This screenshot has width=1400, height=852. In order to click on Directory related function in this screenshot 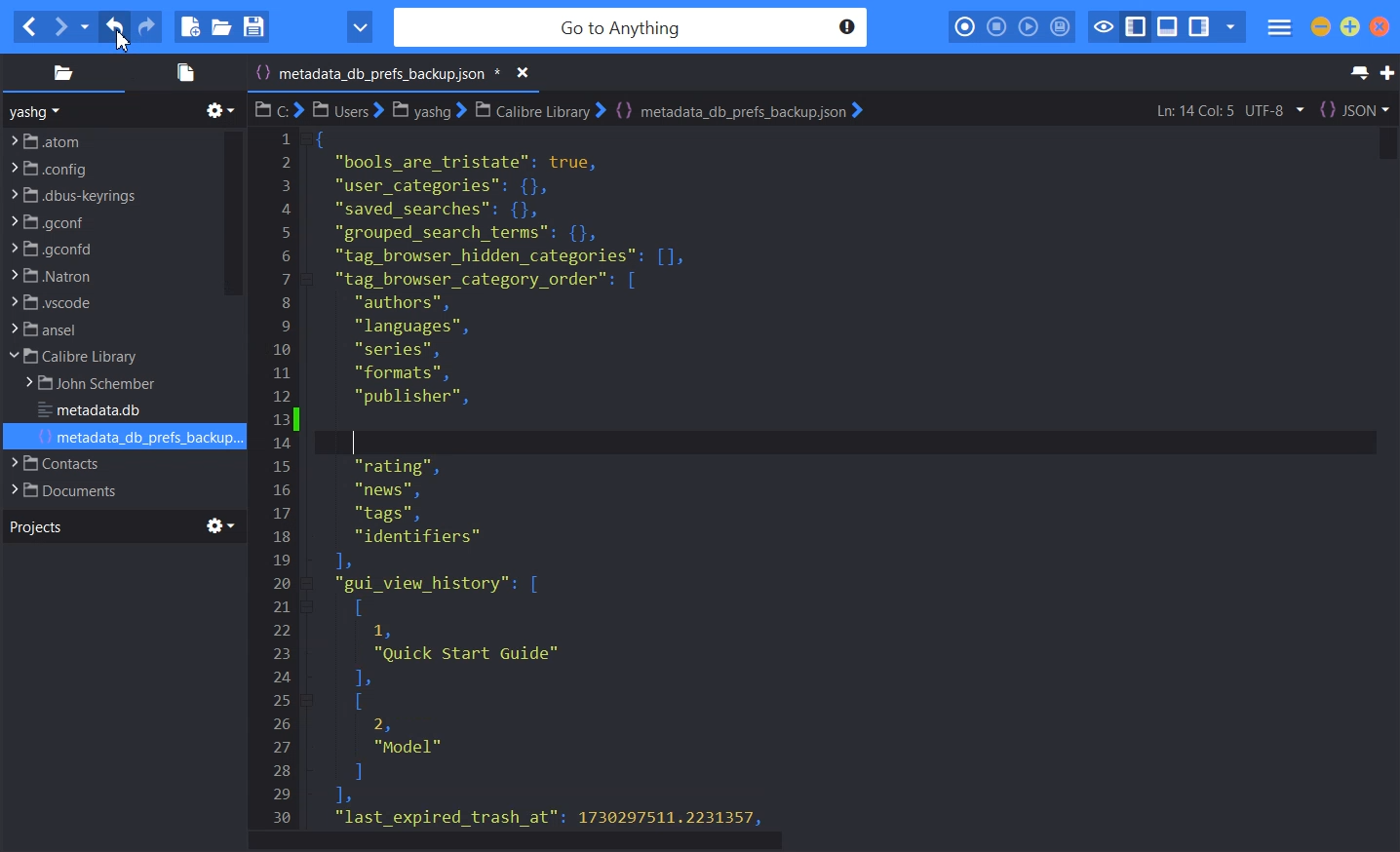, I will do `click(220, 110)`.